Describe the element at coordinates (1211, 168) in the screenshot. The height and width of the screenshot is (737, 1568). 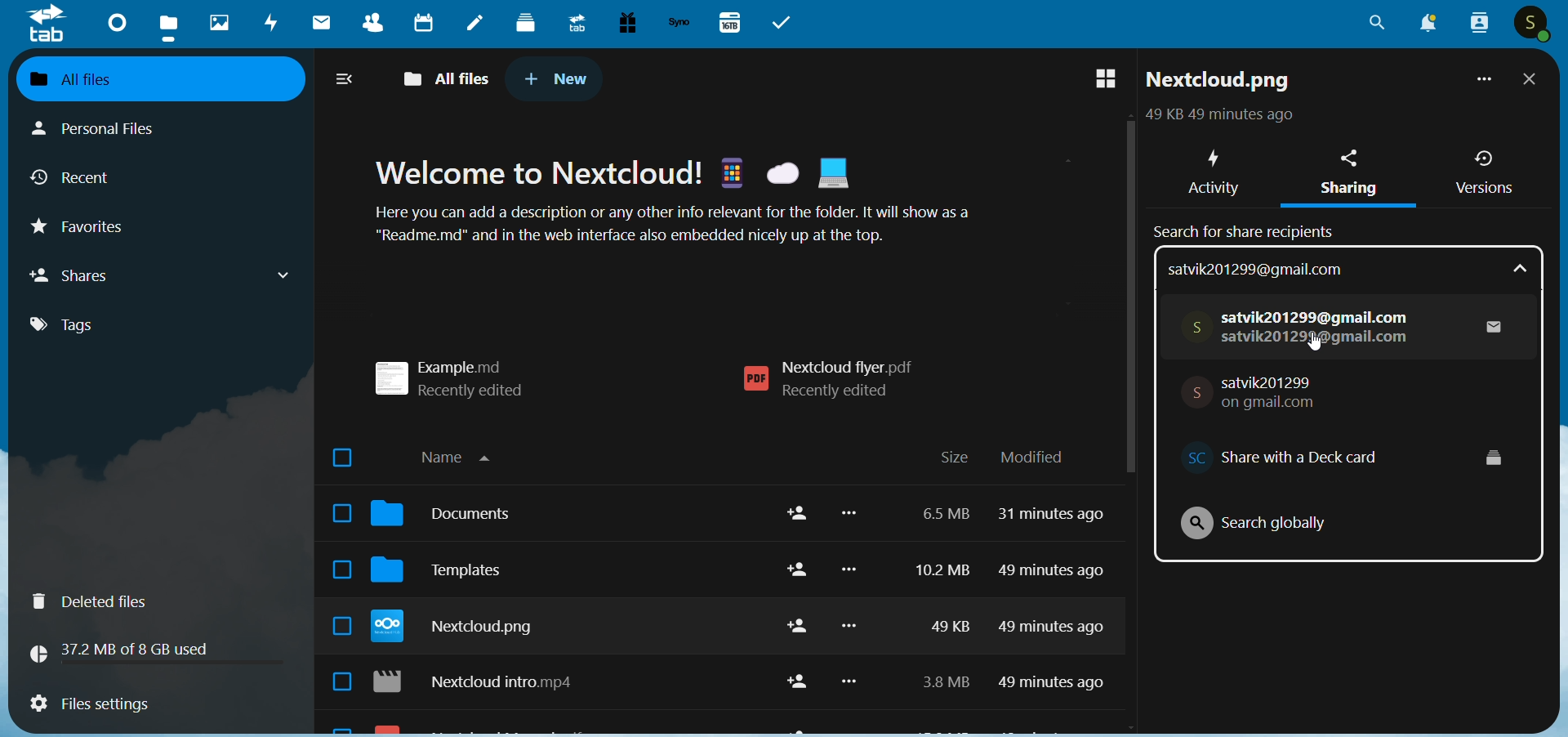
I see `activity` at that location.